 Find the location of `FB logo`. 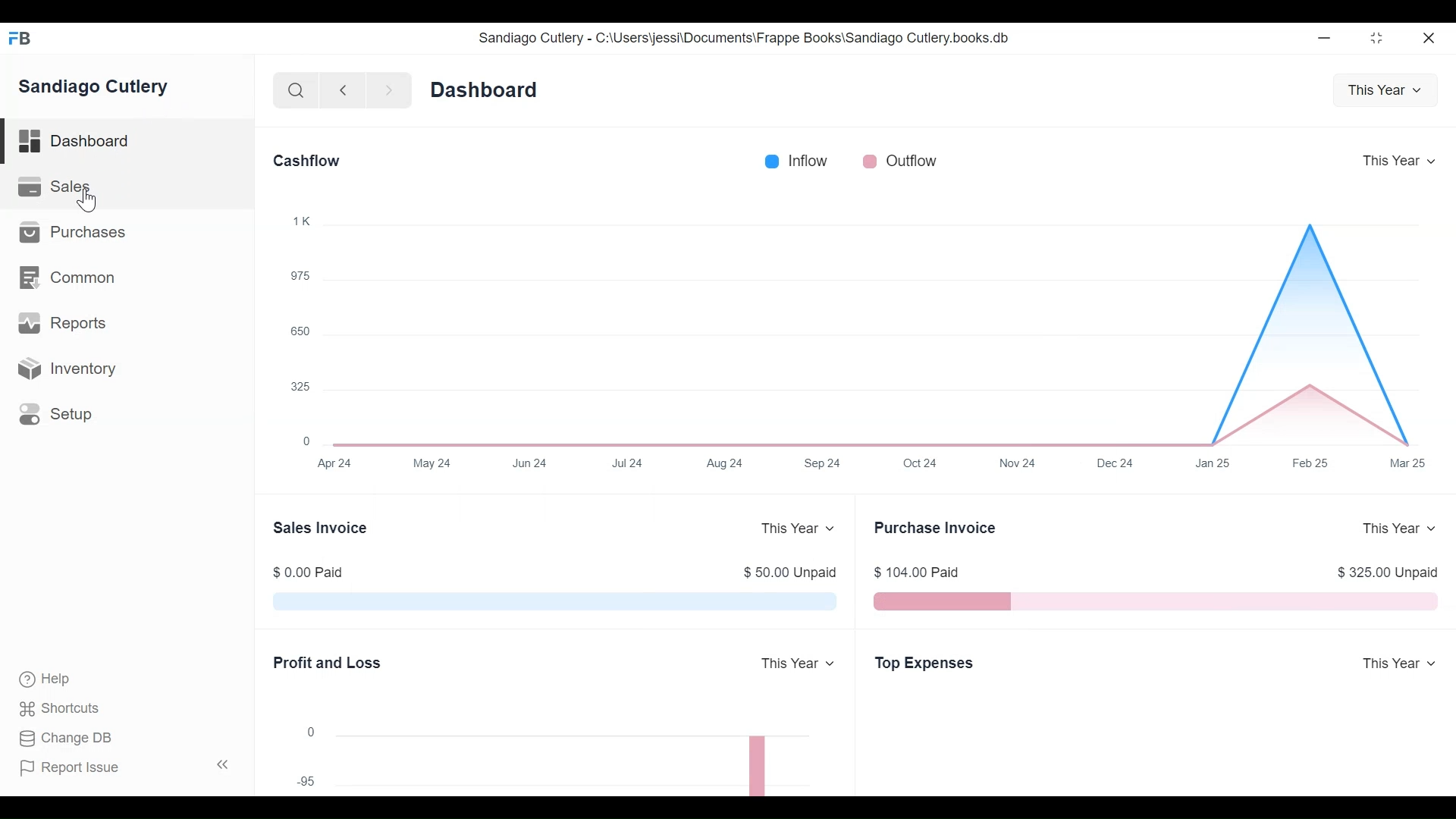

FB logo is located at coordinates (20, 38).